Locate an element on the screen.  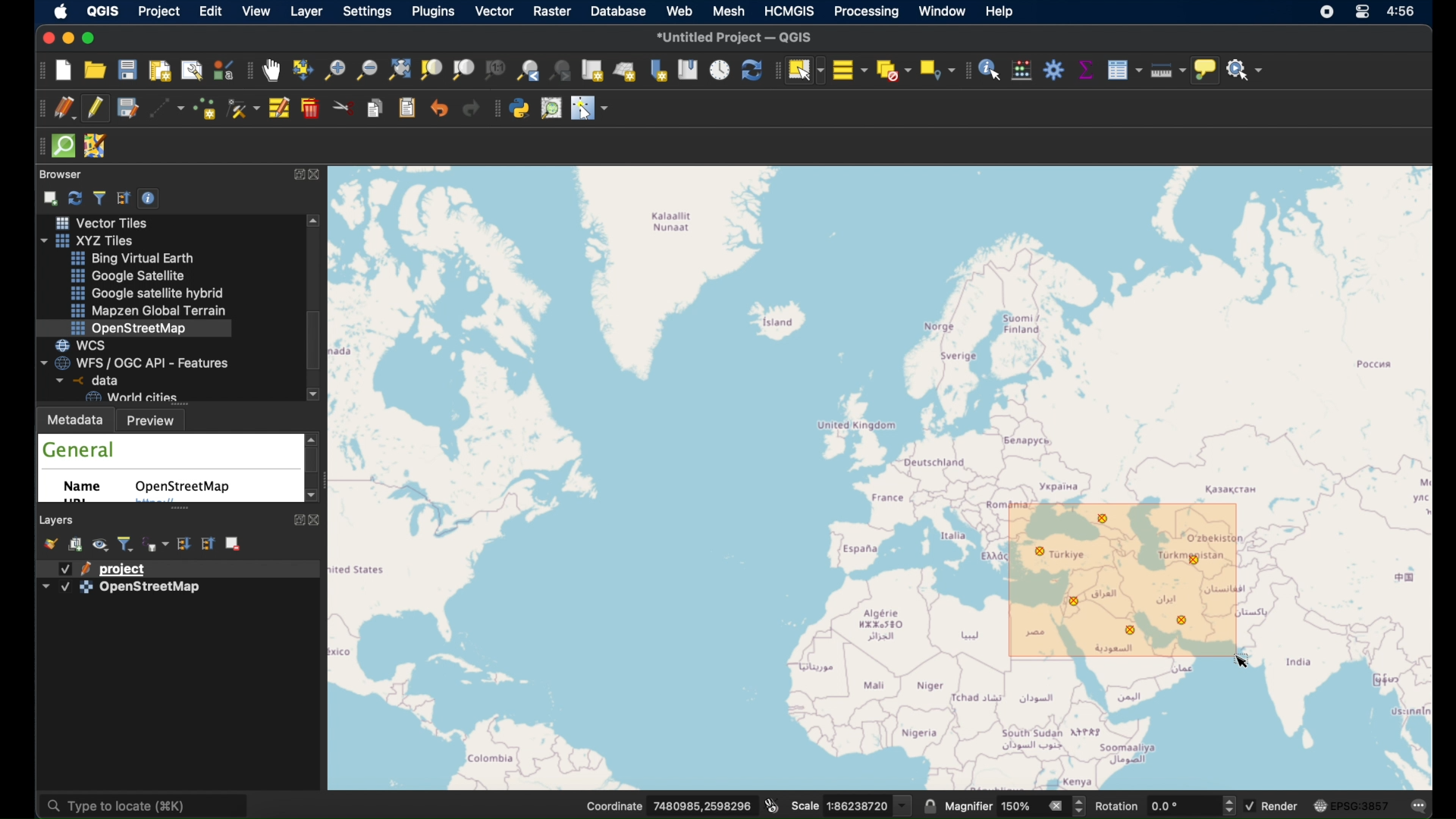
HCMGIS is located at coordinates (789, 11).